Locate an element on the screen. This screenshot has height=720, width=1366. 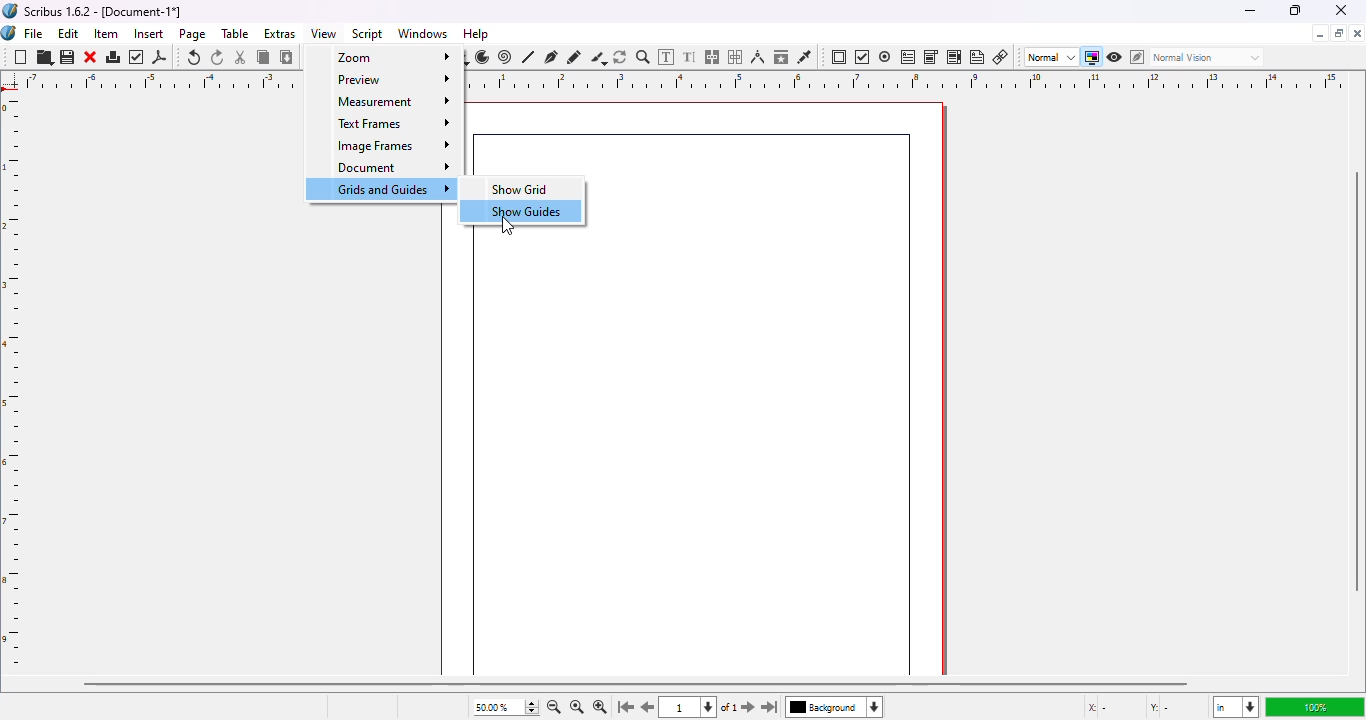
edit text with story editor is located at coordinates (690, 57).